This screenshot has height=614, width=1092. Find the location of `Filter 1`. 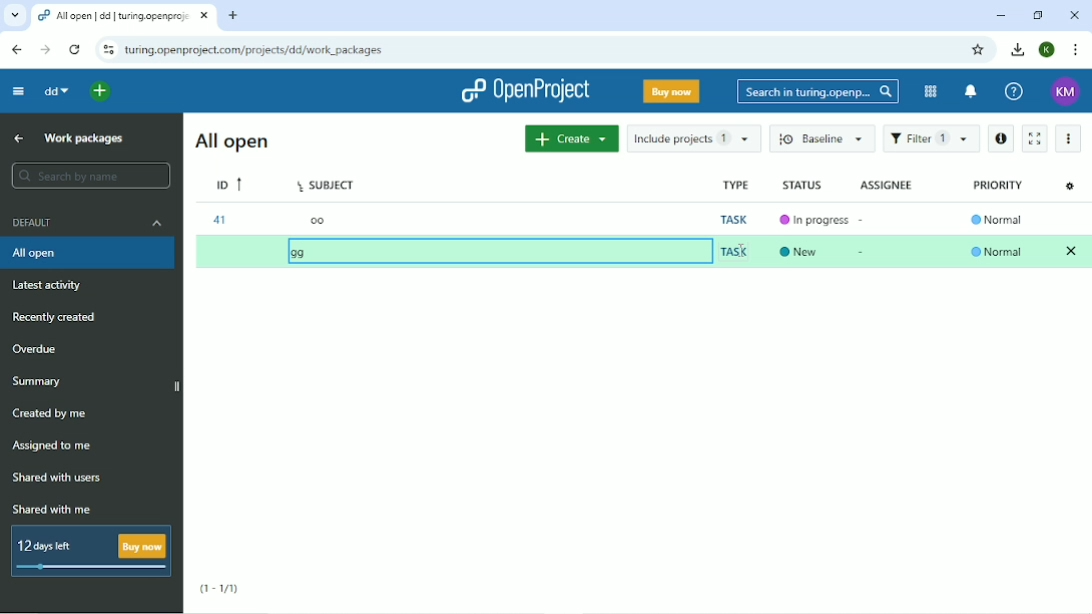

Filter 1 is located at coordinates (931, 139).